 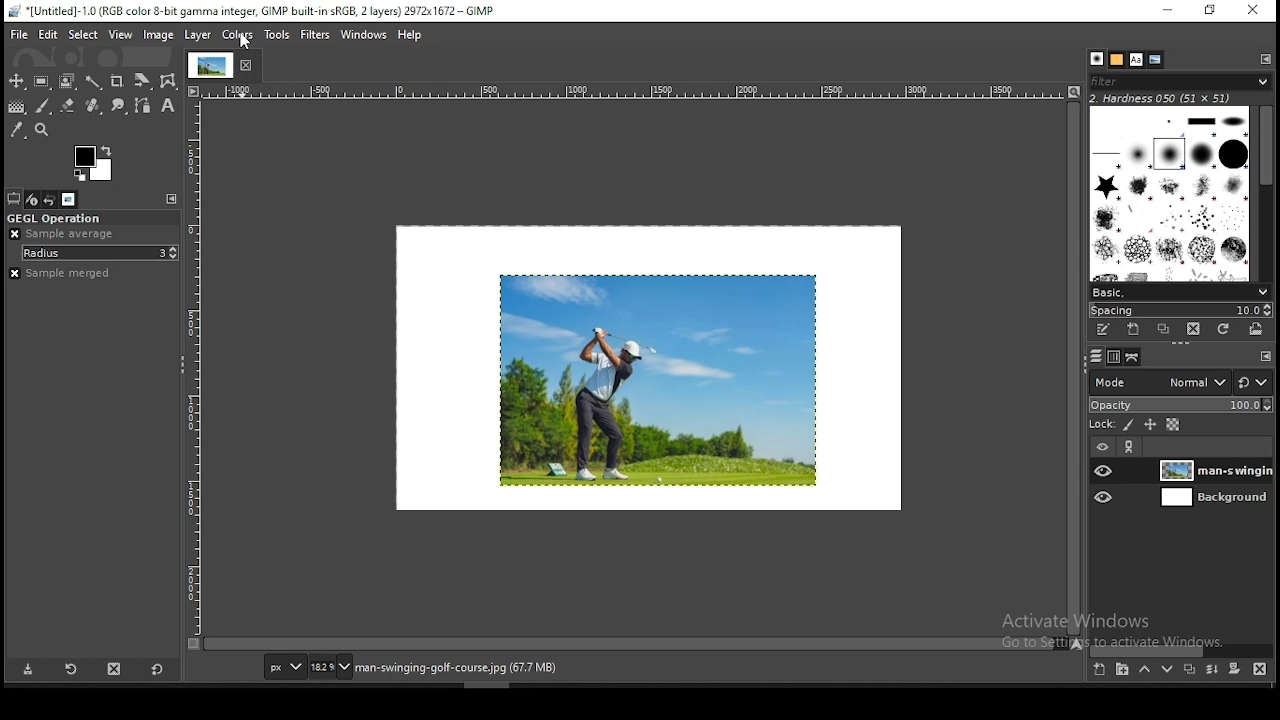 I want to click on layer, so click(x=1216, y=500).